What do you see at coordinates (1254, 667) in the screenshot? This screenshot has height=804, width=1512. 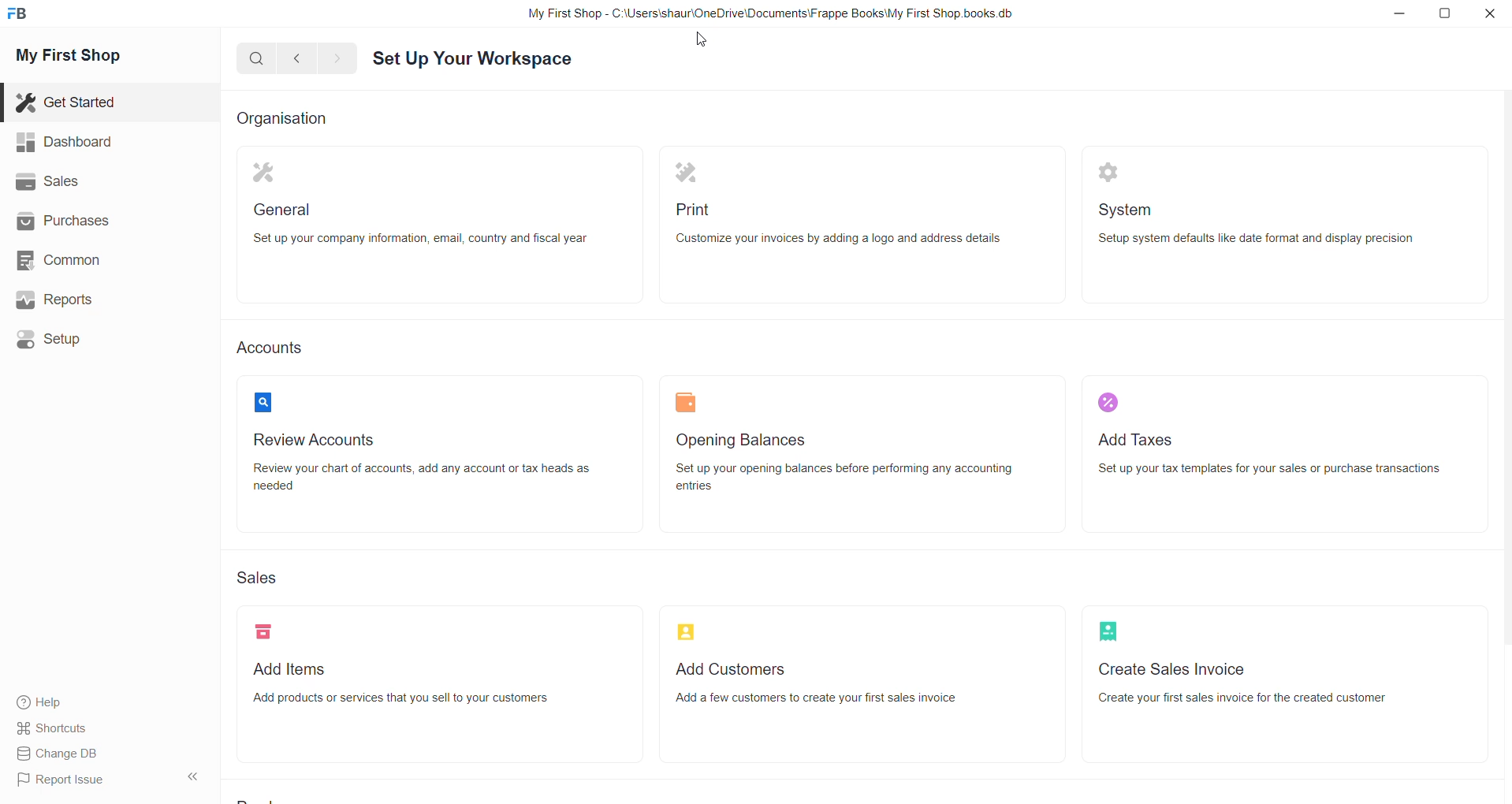 I see `Create sales Invoice` at bounding box center [1254, 667].